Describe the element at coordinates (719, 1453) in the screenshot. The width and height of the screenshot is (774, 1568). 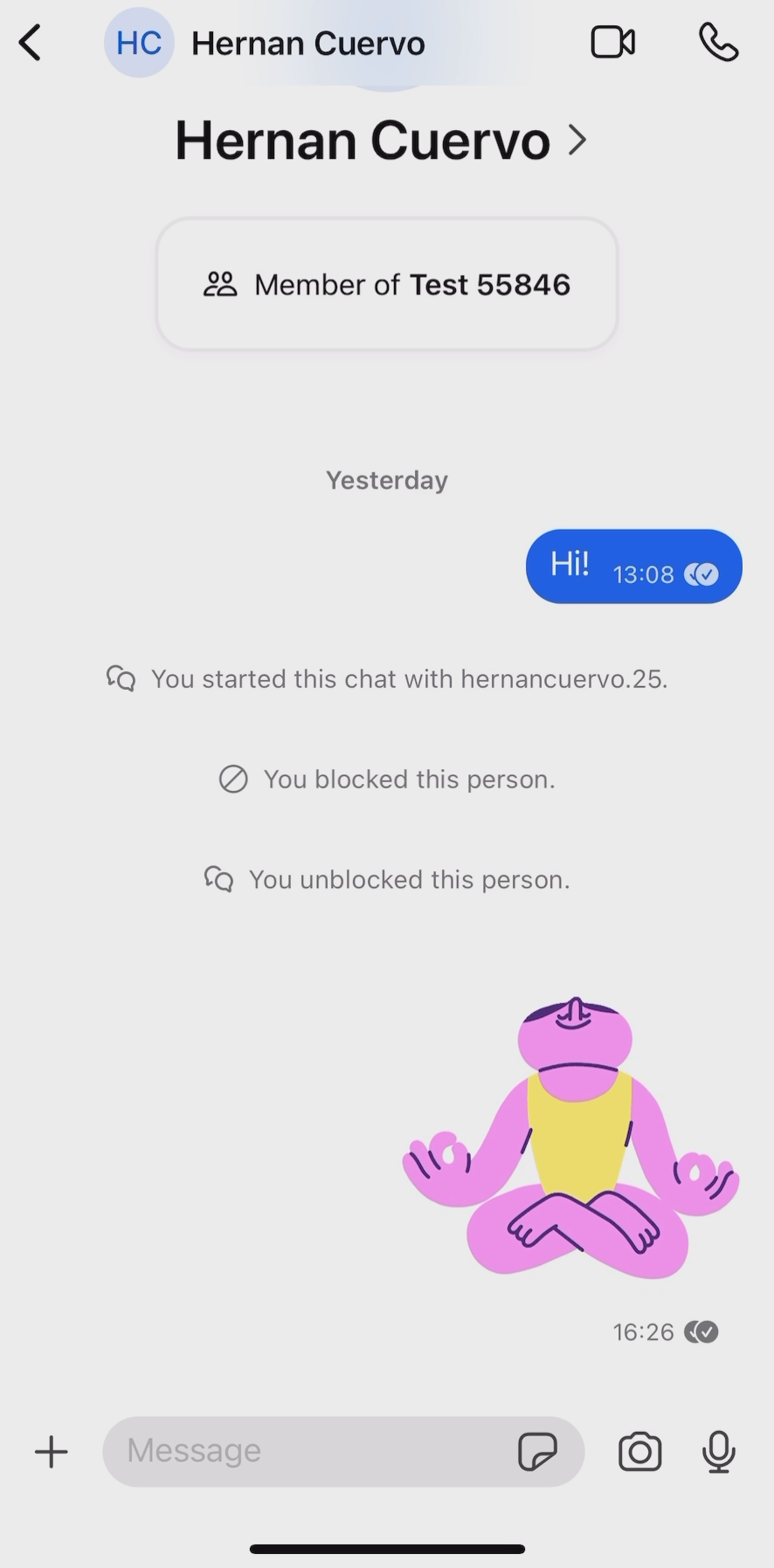
I see `voice record` at that location.